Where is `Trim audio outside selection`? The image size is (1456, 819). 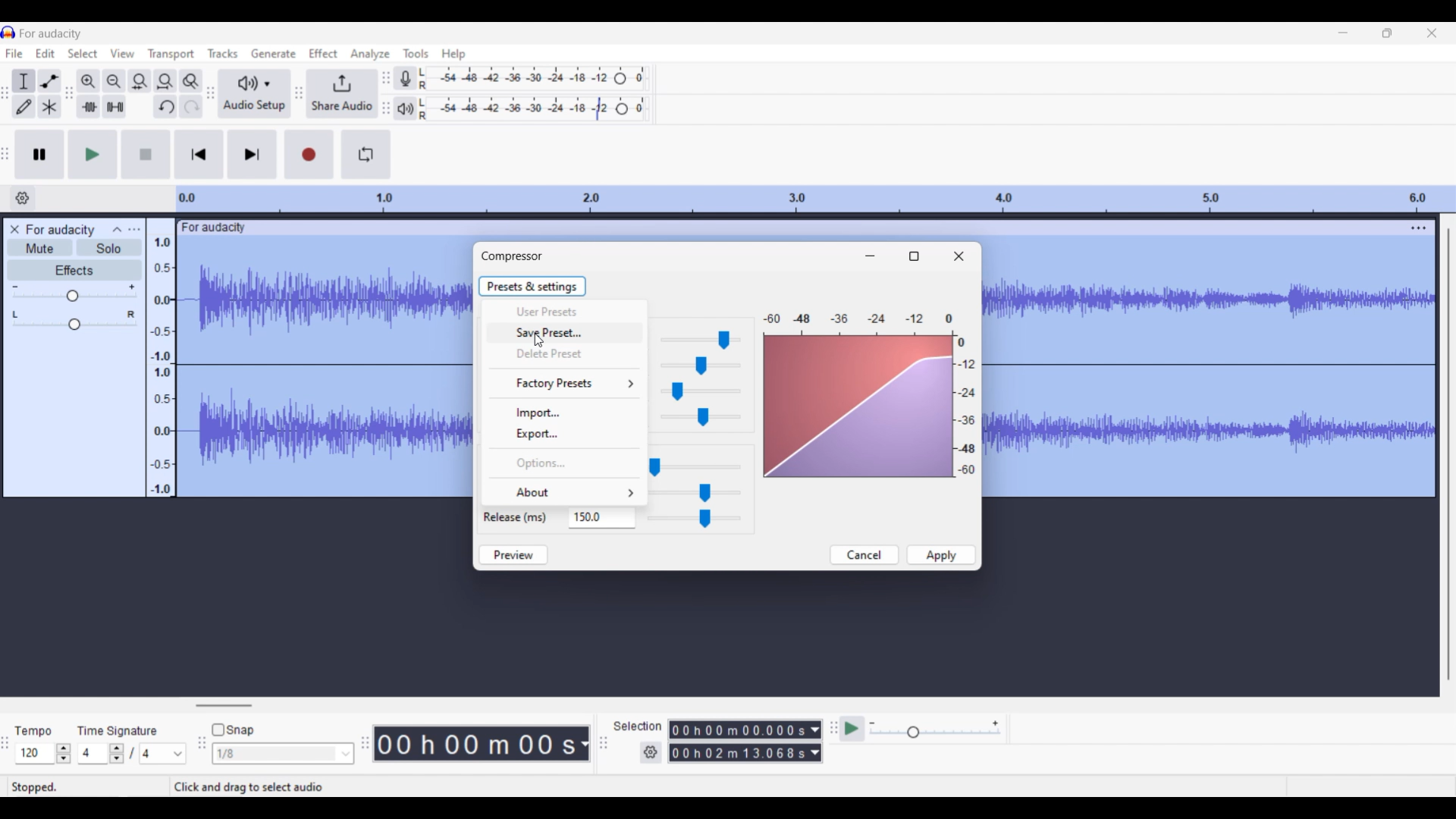
Trim audio outside selection is located at coordinates (89, 107).